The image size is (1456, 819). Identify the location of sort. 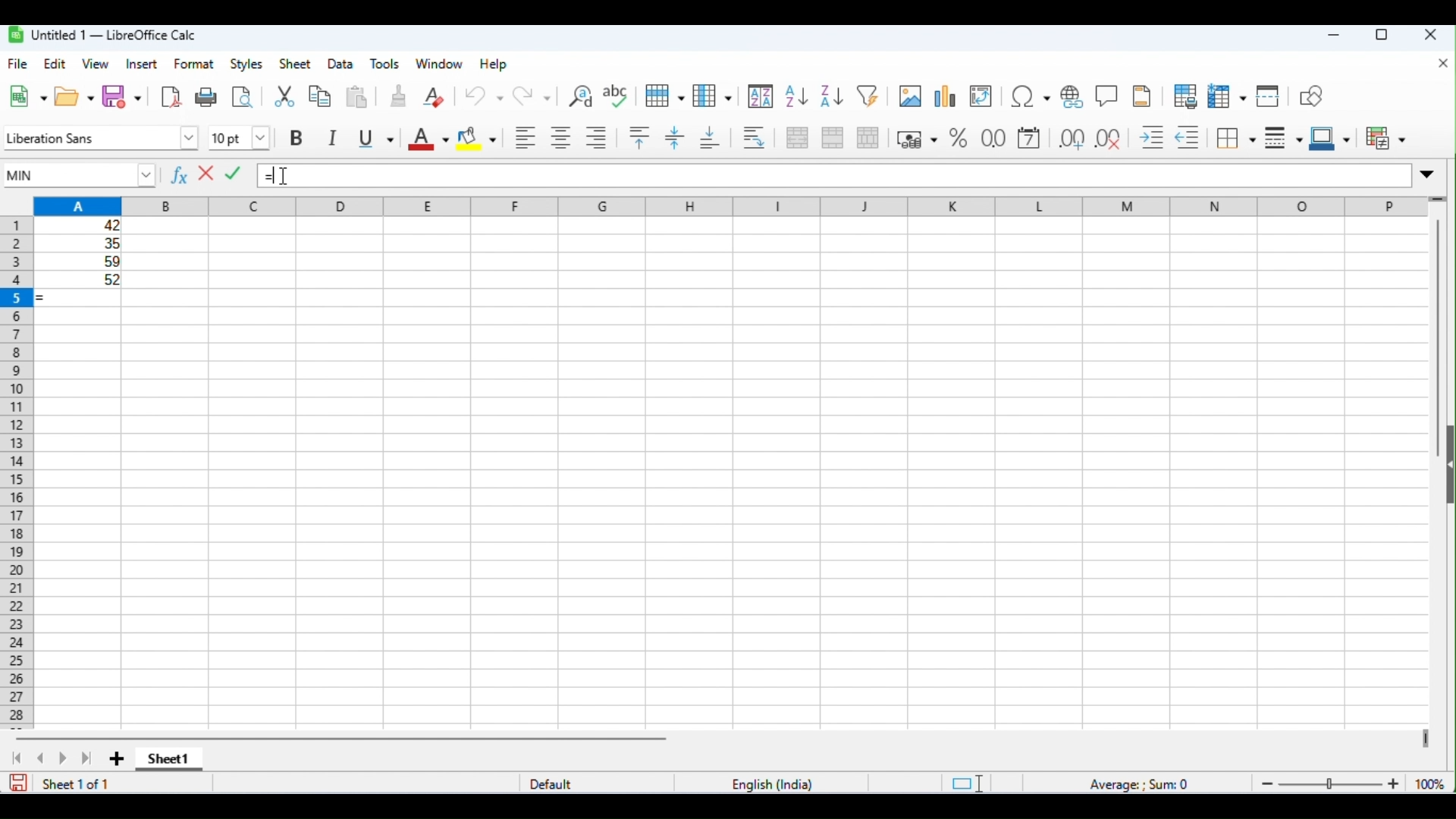
(761, 96).